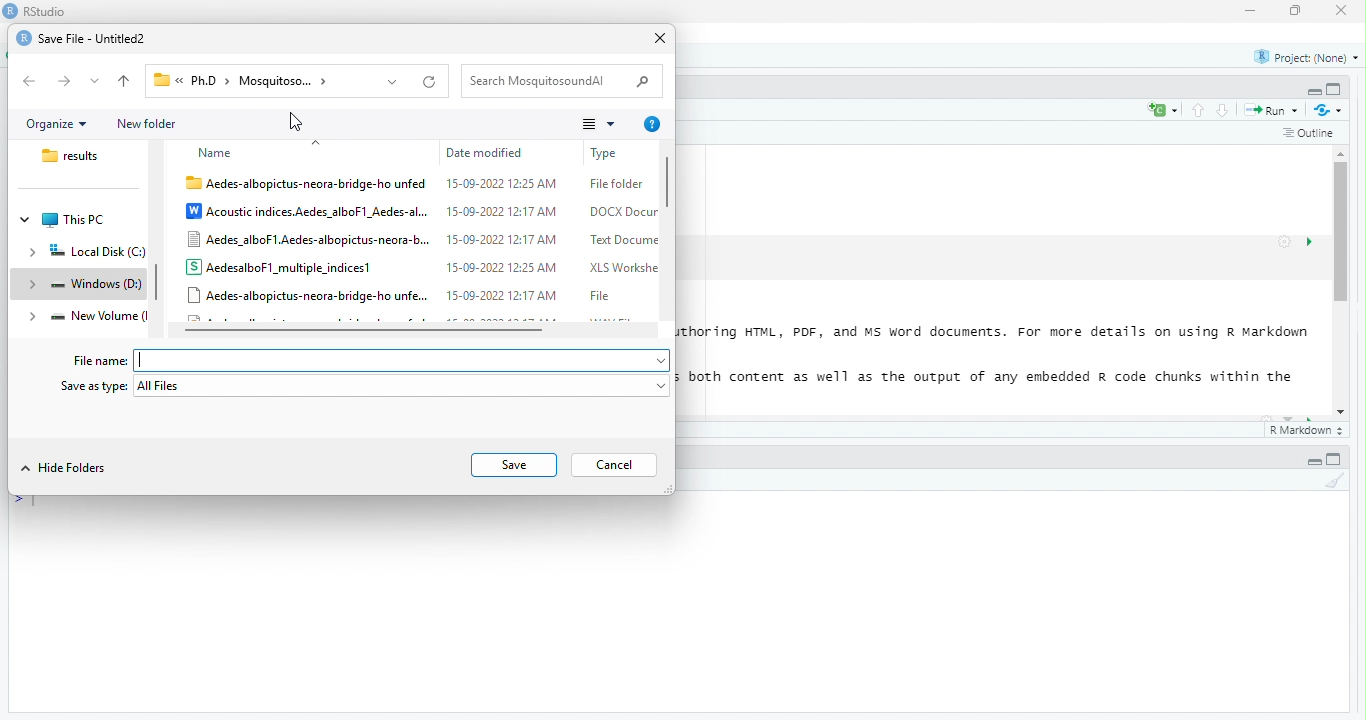 The height and width of the screenshot is (720, 1366). Describe the element at coordinates (217, 154) in the screenshot. I see `Name` at that location.